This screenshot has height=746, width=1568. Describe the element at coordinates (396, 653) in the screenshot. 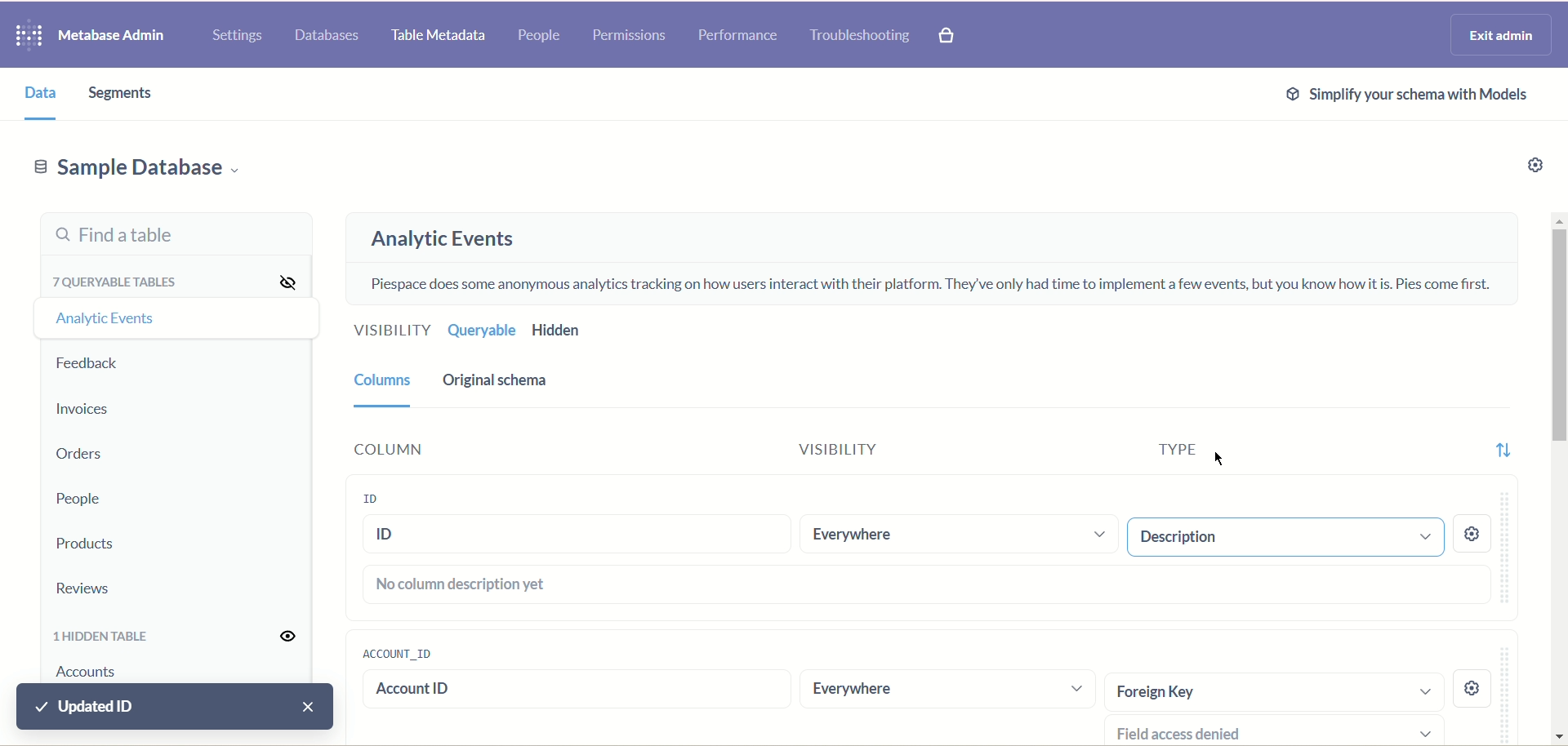

I see `account ID` at that location.